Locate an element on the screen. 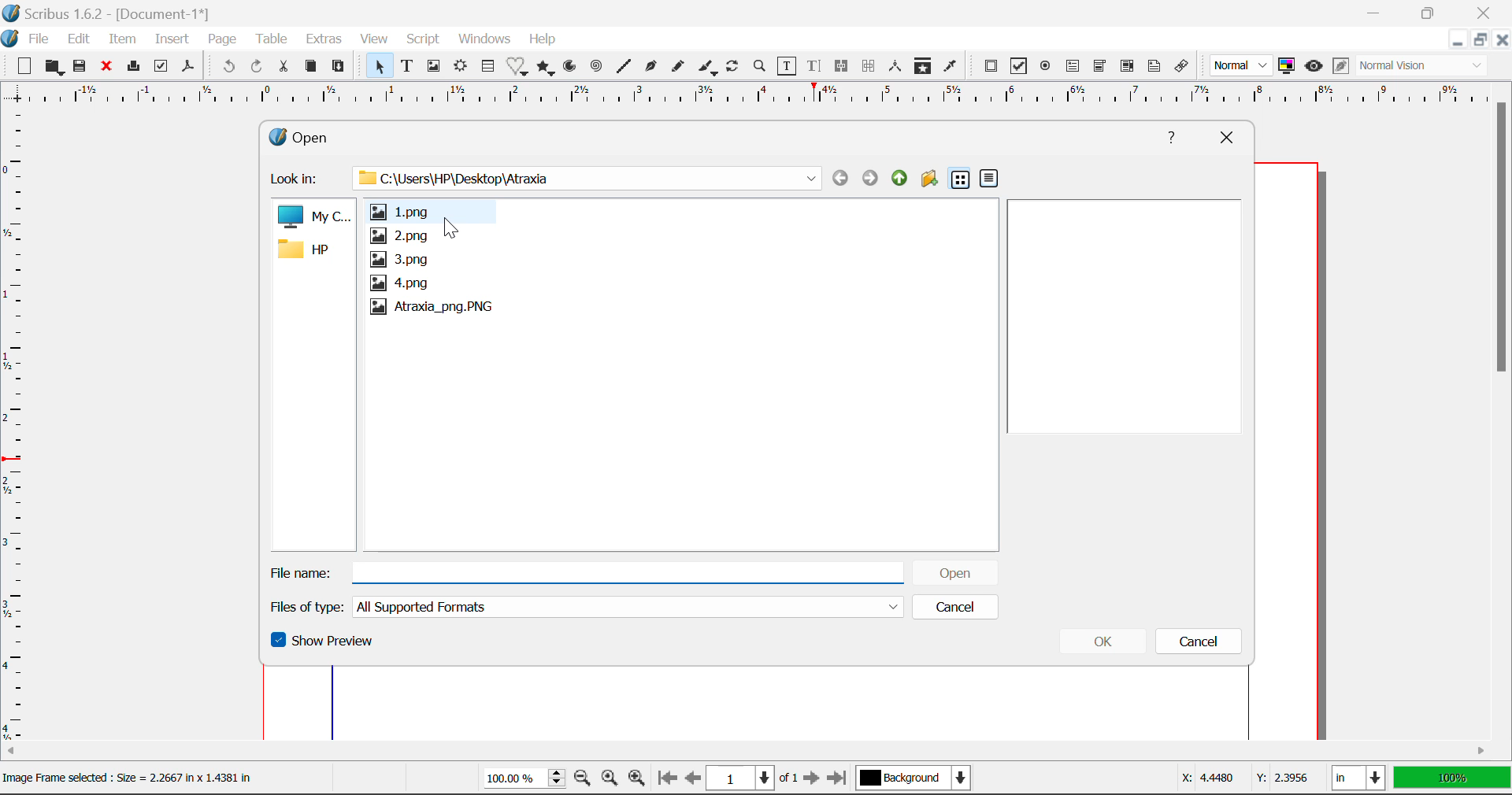 Image resolution: width=1512 pixels, height=795 pixels. Insert Special Shapes is located at coordinates (518, 68).